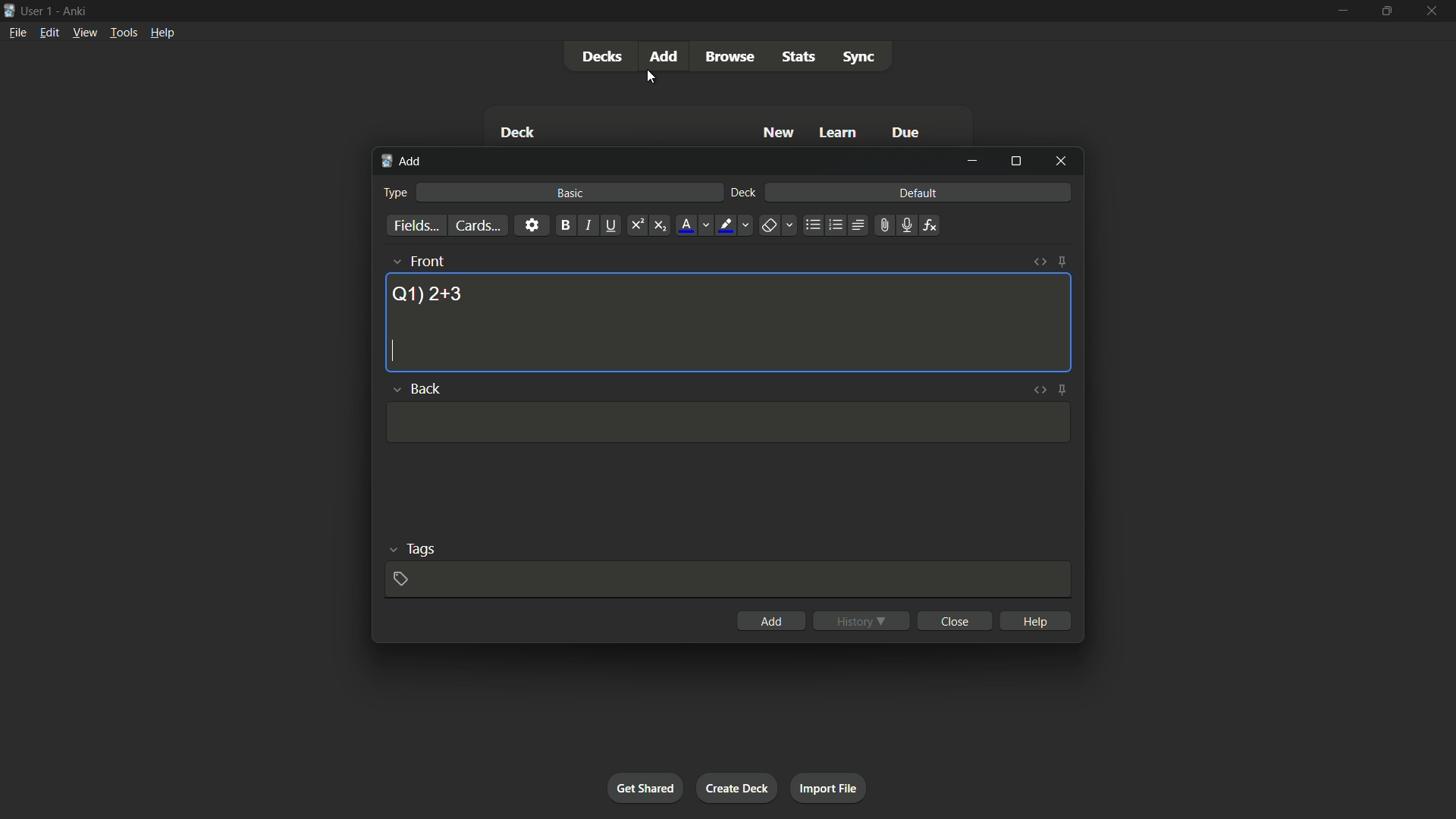 The width and height of the screenshot is (1456, 819). What do you see at coordinates (780, 132) in the screenshot?
I see `new` at bounding box center [780, 132].